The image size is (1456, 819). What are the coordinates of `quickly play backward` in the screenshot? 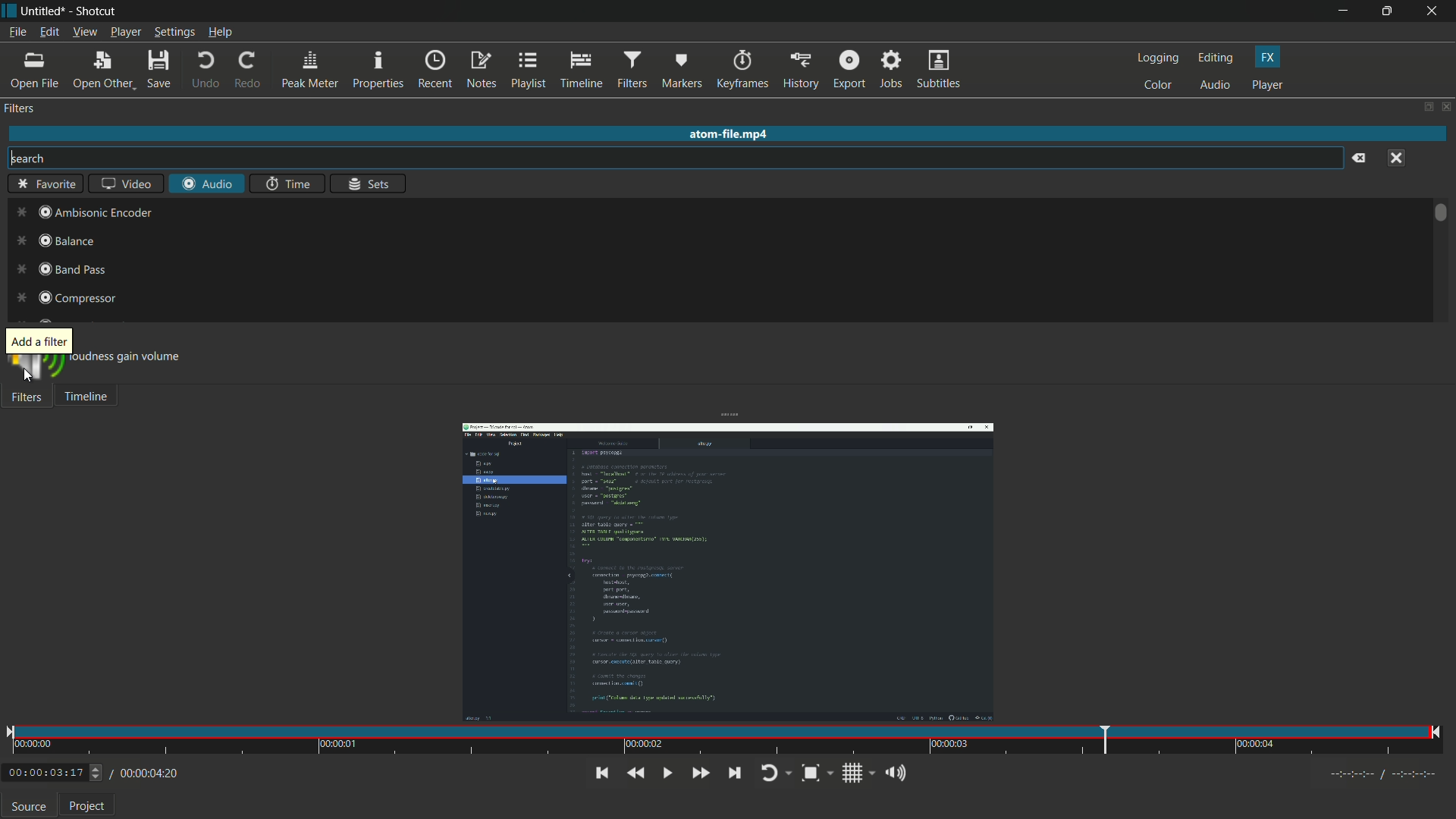 It's located at (635, 773).